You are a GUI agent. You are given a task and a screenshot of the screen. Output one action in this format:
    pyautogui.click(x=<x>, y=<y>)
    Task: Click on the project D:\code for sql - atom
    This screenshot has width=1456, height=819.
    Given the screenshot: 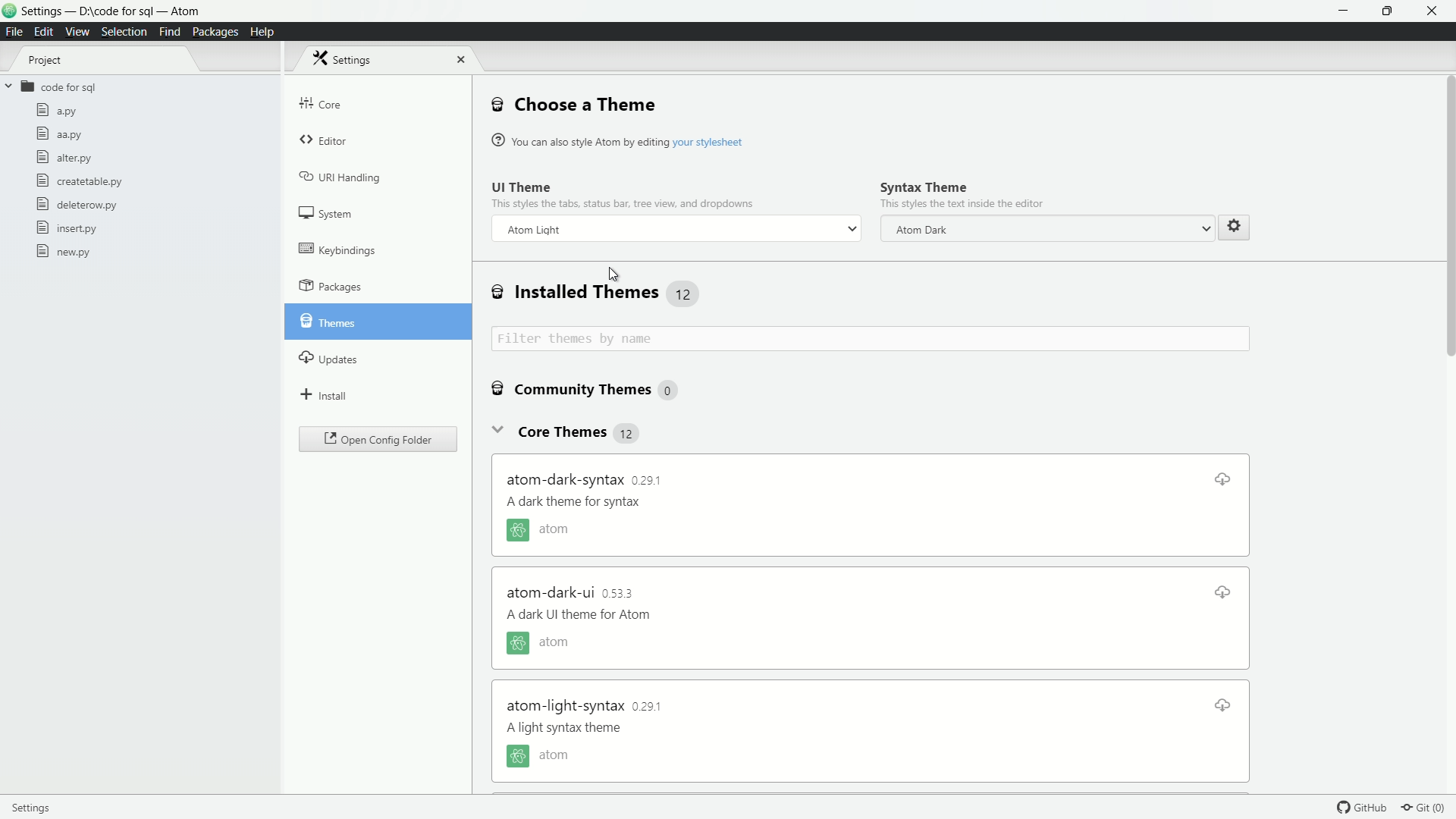 What is the action you would take?
    pyautogui.click(x=112, y=12)
    